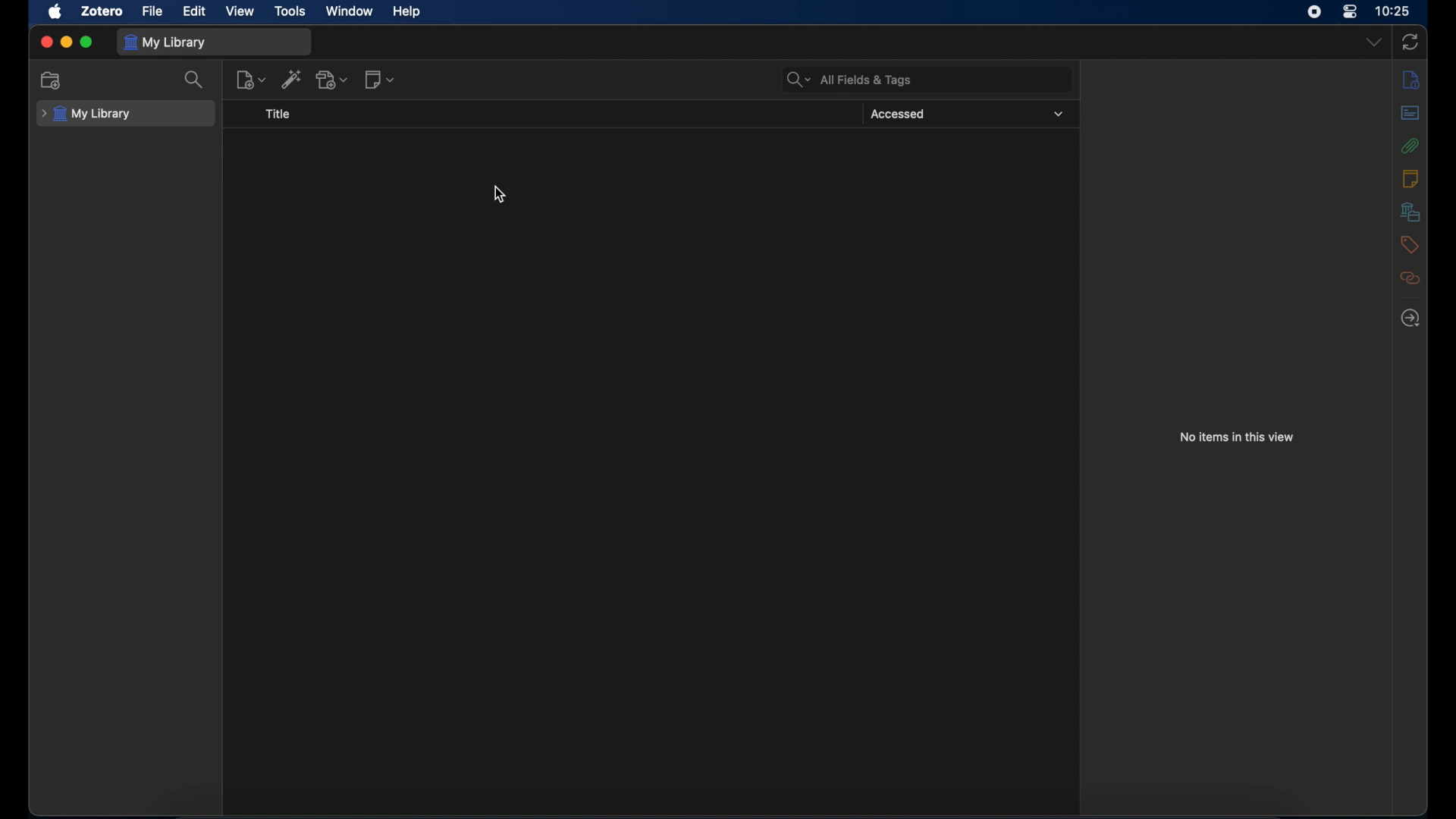 The height and width of the screenshot is (819, 1456). What do you see at coordinates (898, 115) in the screenshot?
I see `accessed` at bounding box center [898, 115].